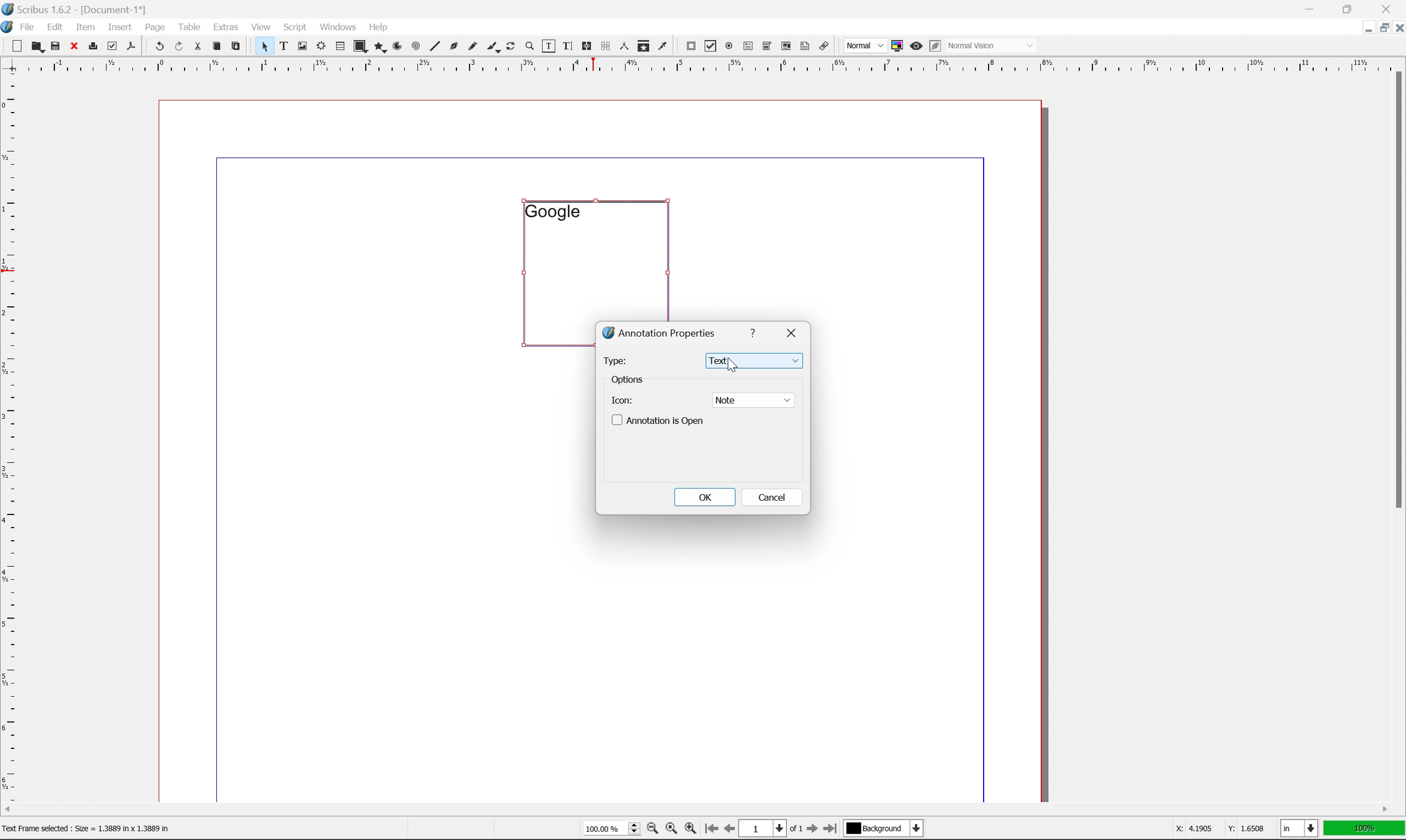  Describe the element at coordinates (663, 45) in the screenshot. I see `eye dropper` at that location.